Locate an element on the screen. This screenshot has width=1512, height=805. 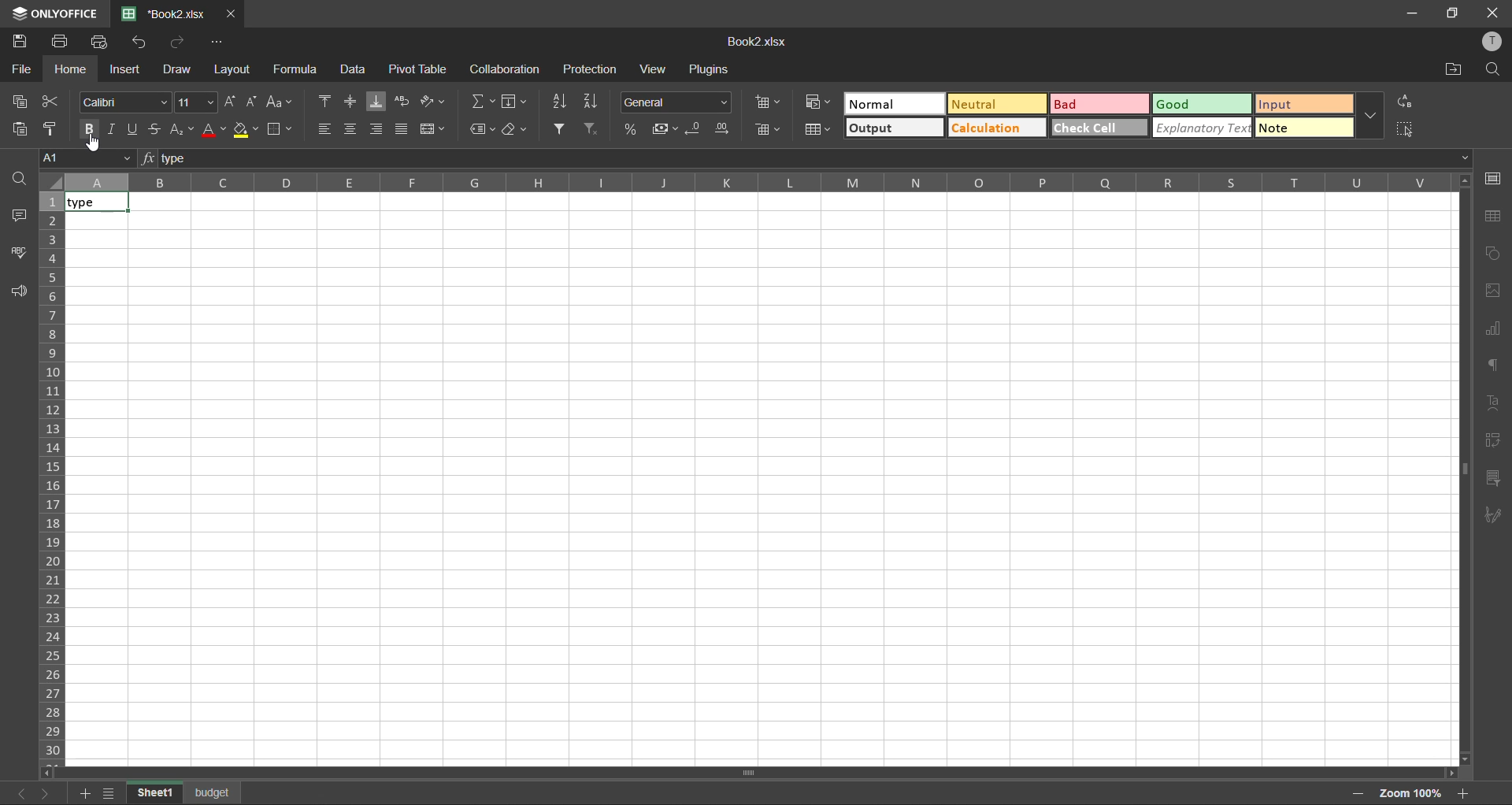
increase decimal is located at coordinates (724, 128).